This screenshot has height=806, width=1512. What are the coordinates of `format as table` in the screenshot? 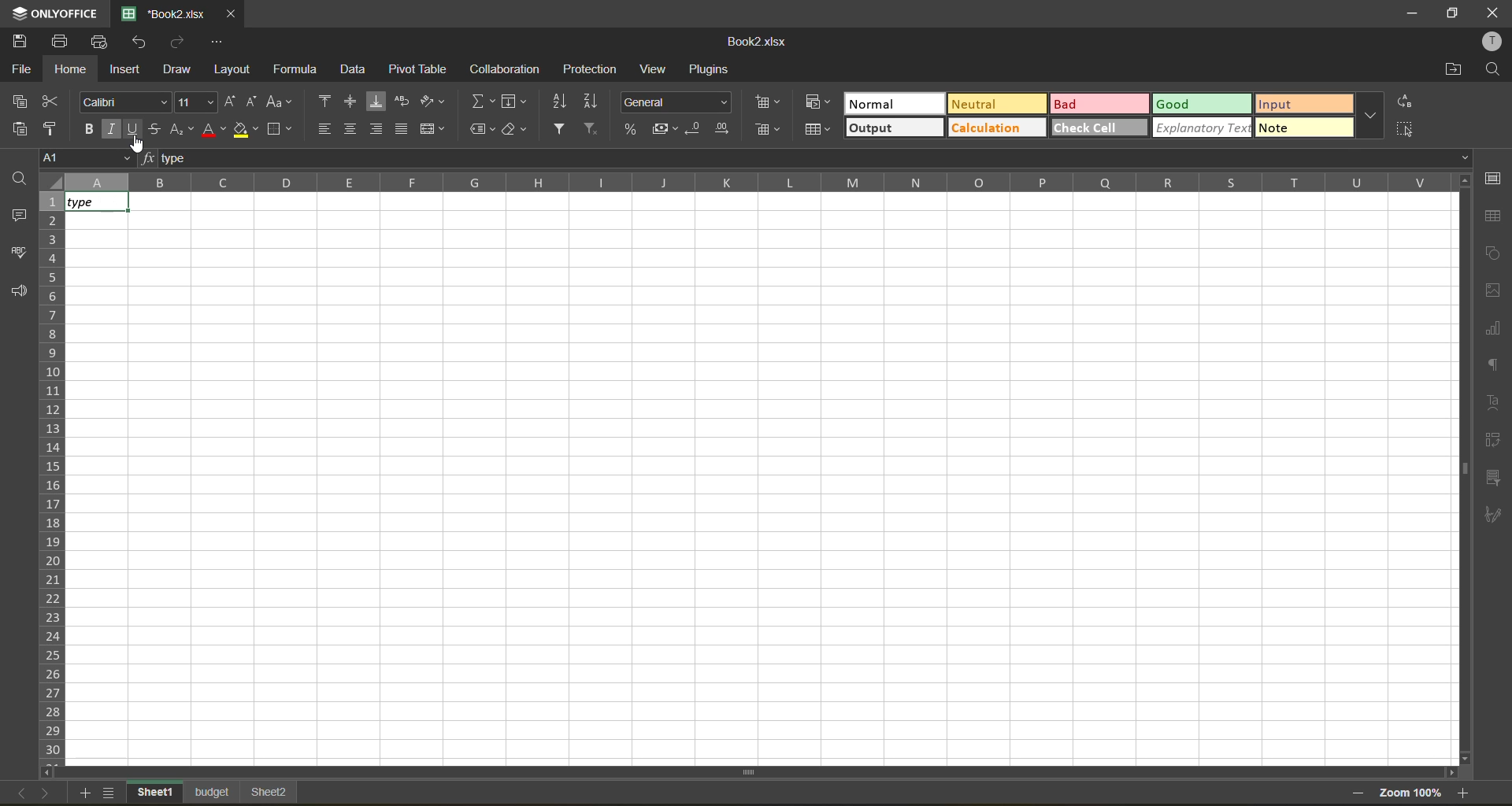 It's located at (819, 131).